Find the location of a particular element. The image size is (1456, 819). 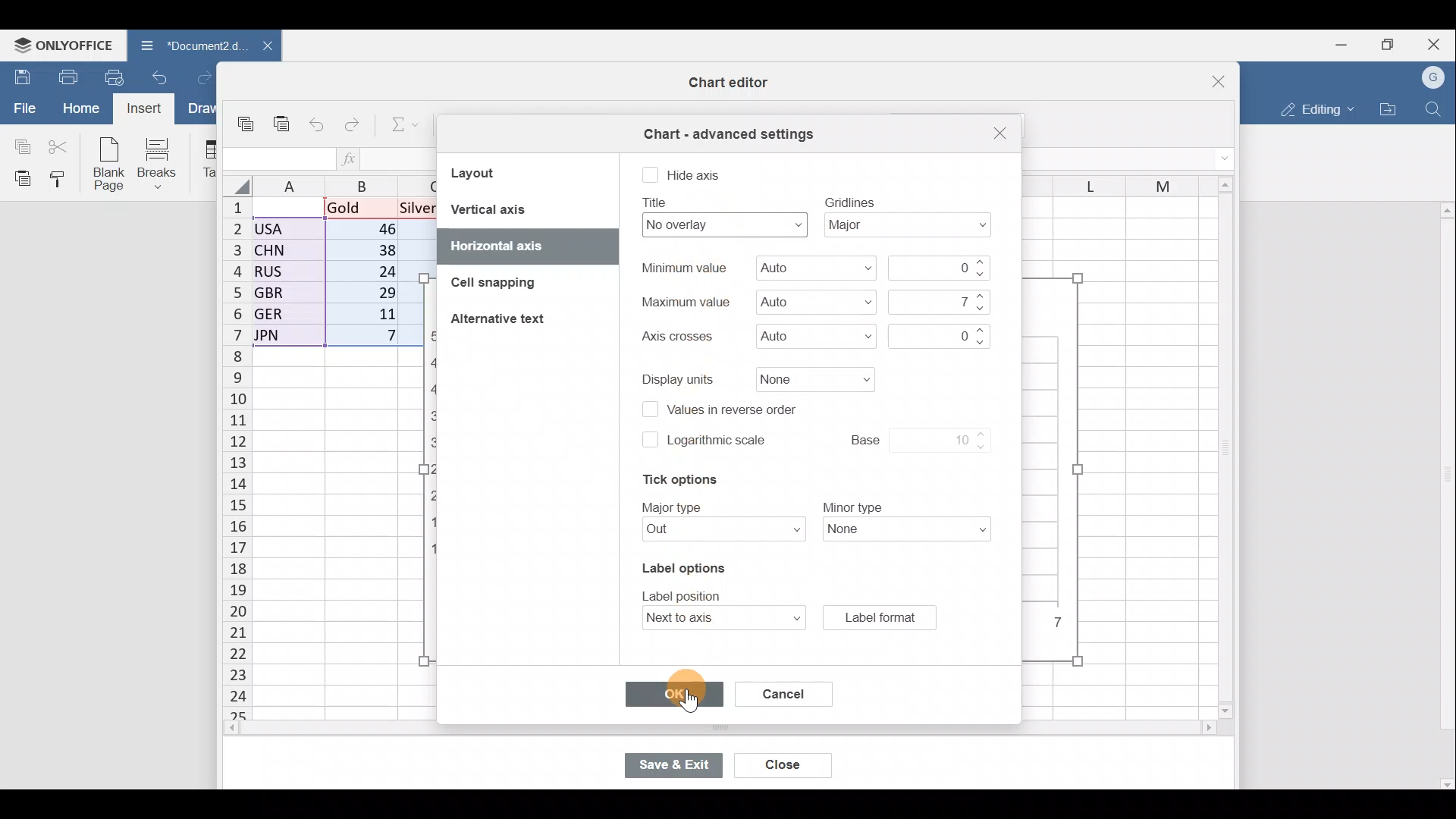

Save is located at coordinates (19, 75).